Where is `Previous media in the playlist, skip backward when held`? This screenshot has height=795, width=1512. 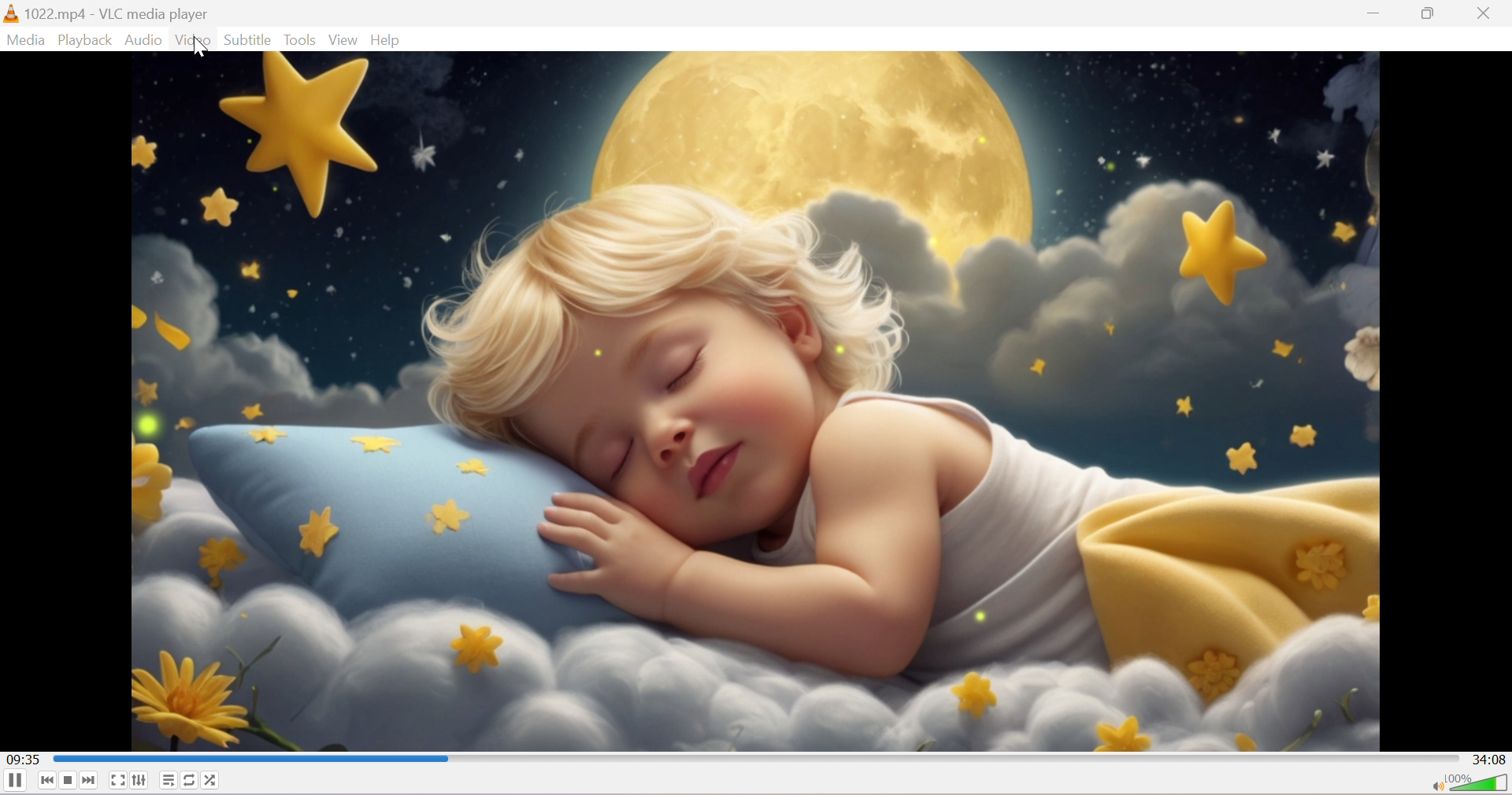 Previous media in the playlist, skip backward when held is located at coordinates (45, 782).